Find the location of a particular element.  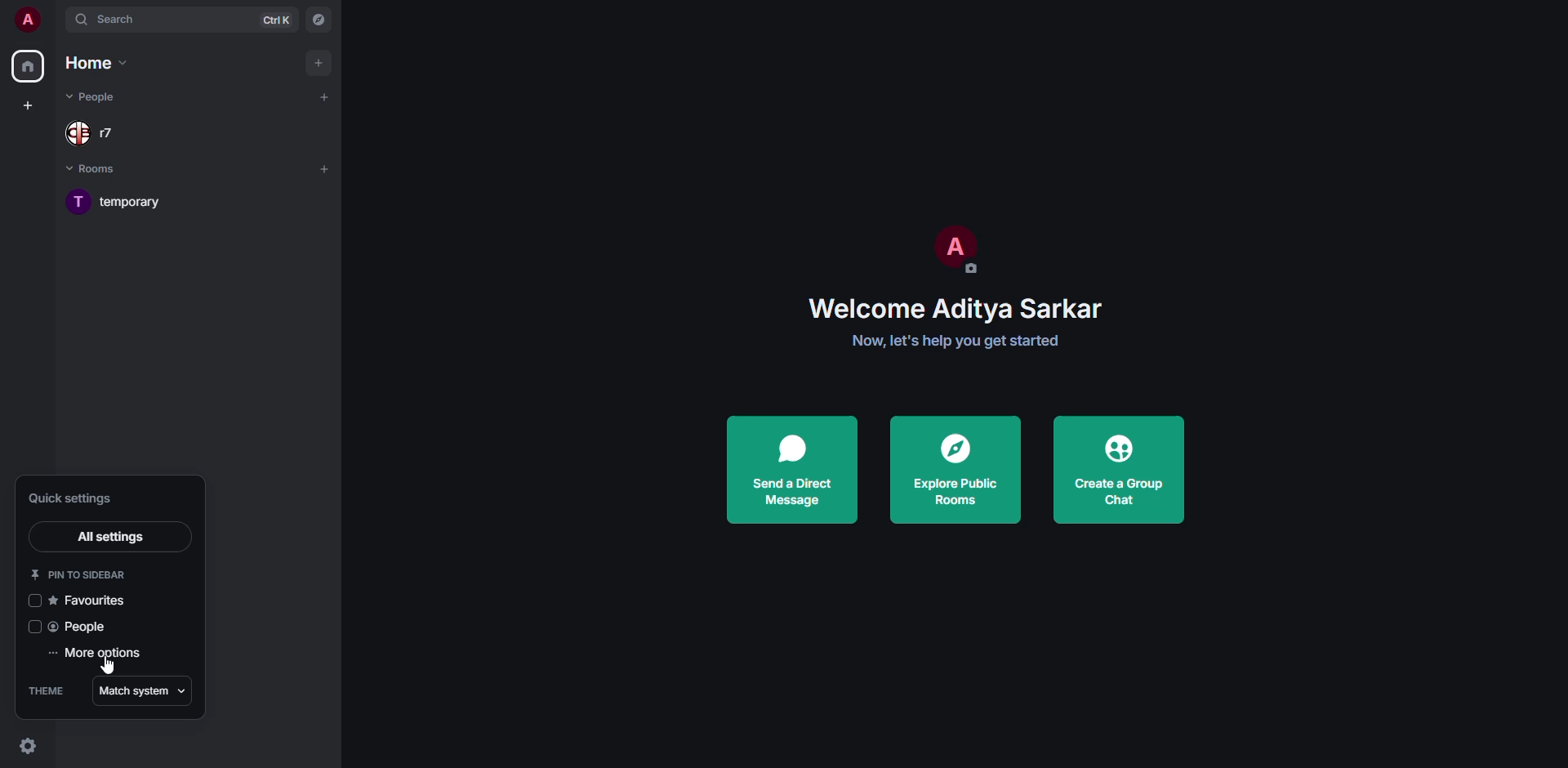

people is located at coordinates (94, 96).